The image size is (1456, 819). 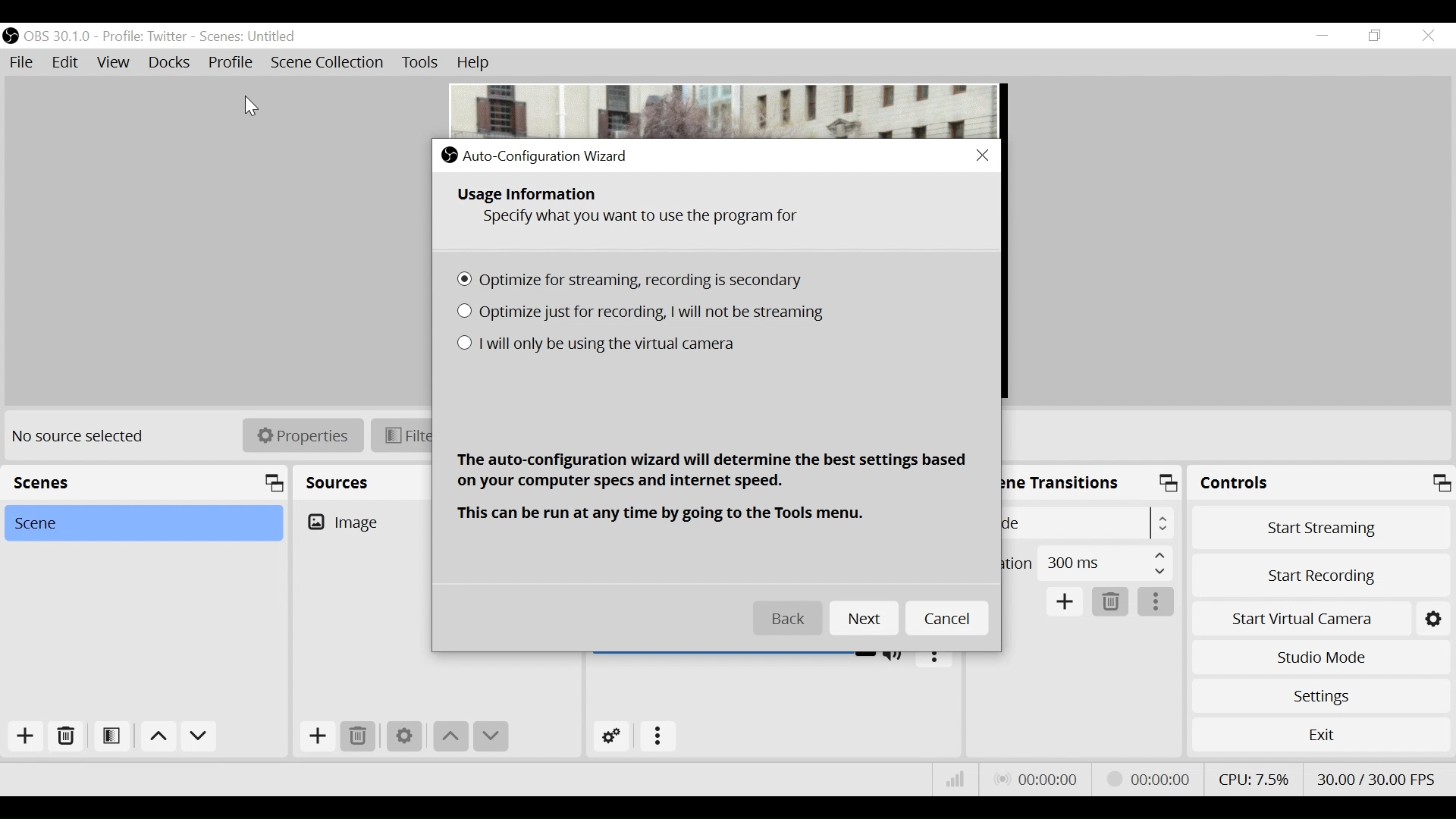 I want to click on View, so click(x=115, y=63).